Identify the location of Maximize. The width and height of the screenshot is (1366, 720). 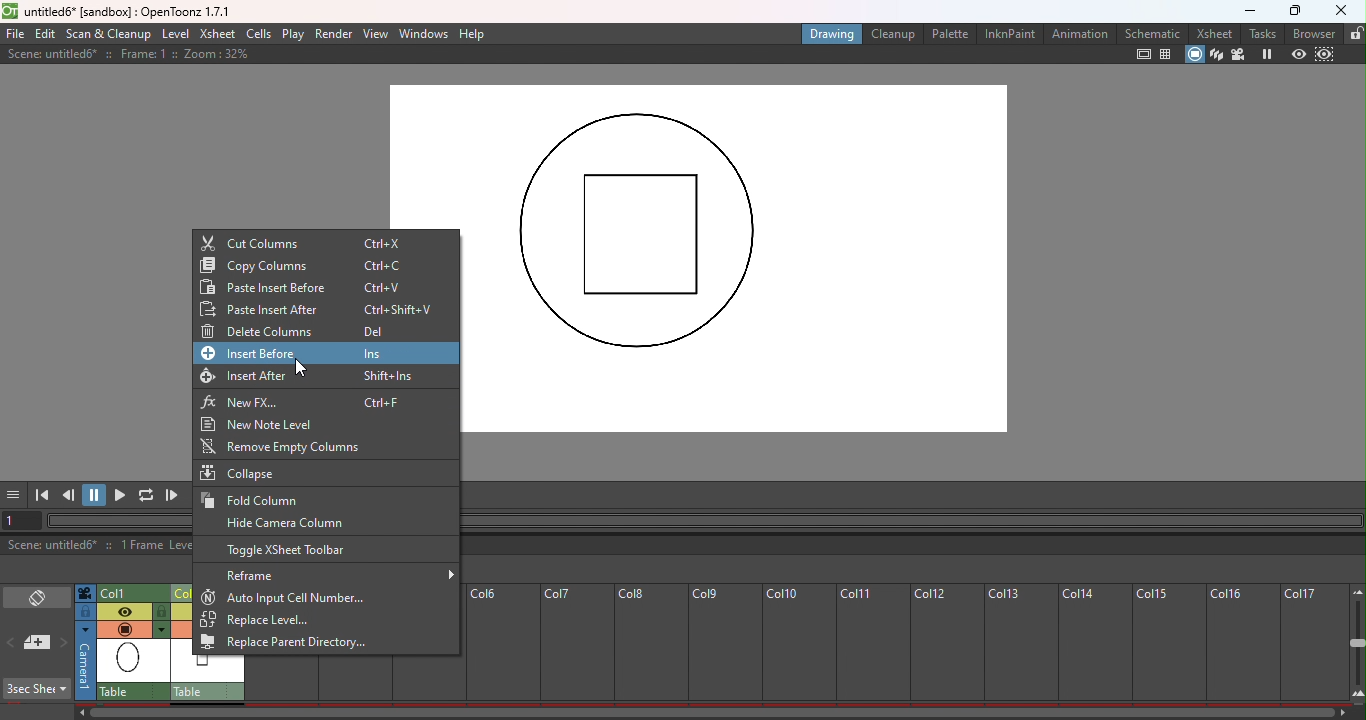
(1290, 12).